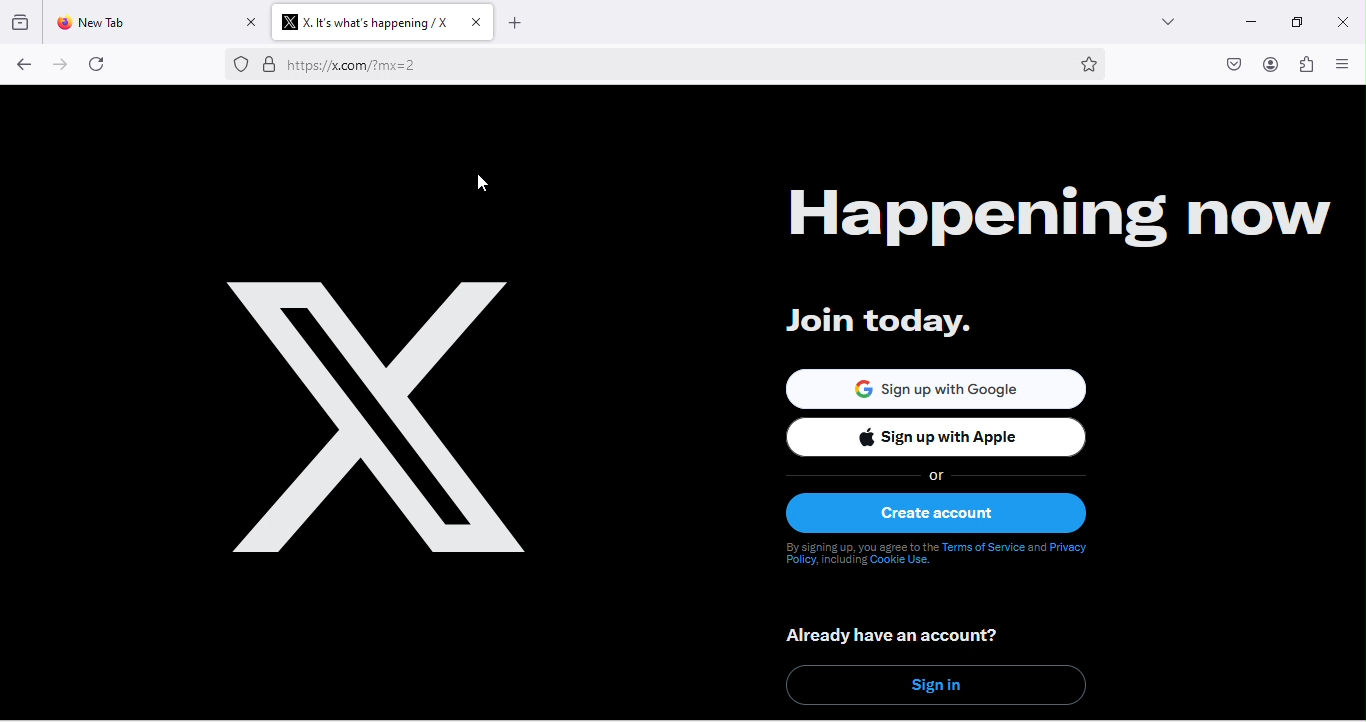 Image resolution: width=1366 pixels, height=722 pixels. Describe the element at coordinates (1267, 64) in the screenshot. I see `account` at that location.